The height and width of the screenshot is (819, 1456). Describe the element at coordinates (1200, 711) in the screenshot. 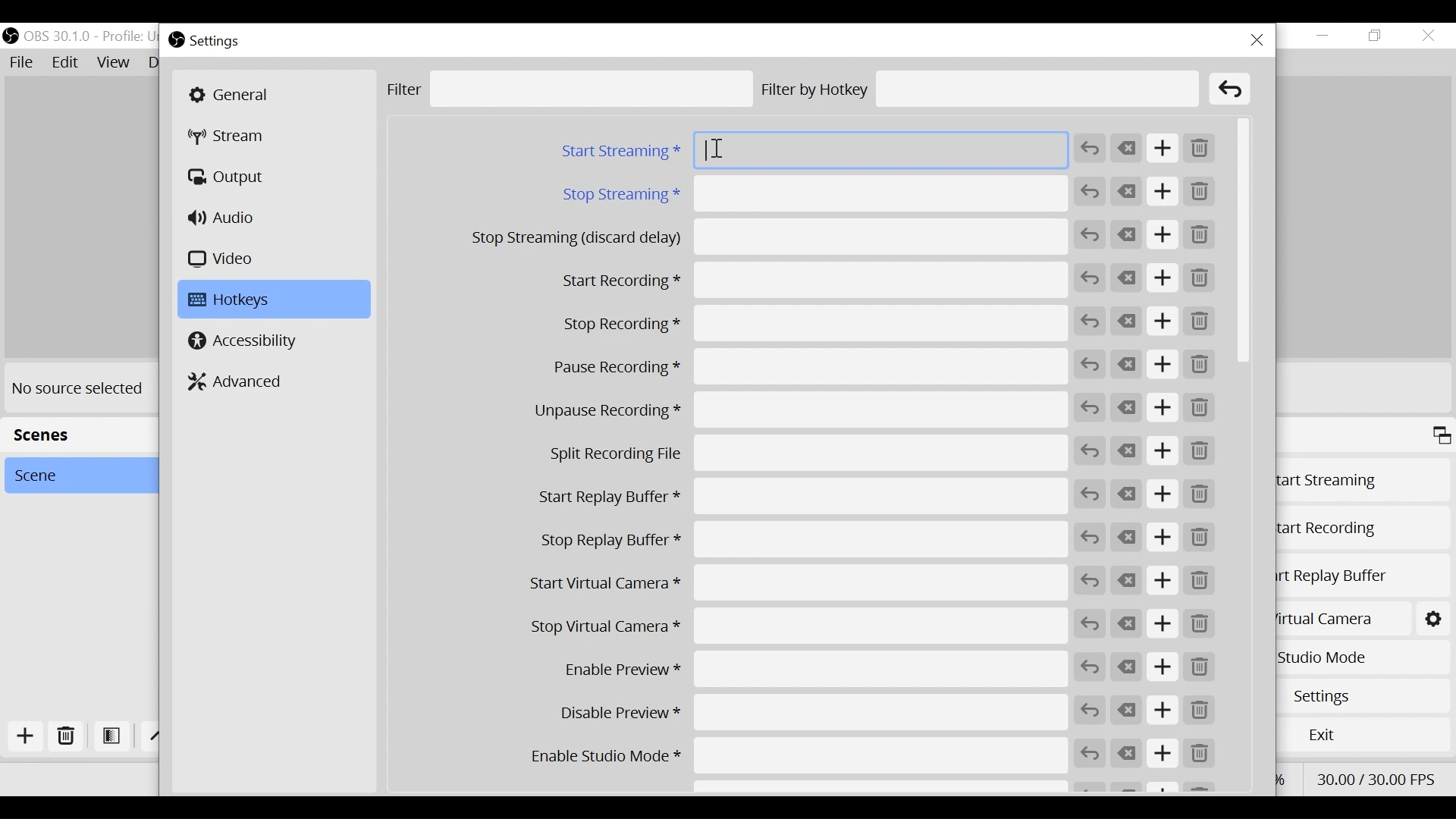

I see `Remove` at that location.